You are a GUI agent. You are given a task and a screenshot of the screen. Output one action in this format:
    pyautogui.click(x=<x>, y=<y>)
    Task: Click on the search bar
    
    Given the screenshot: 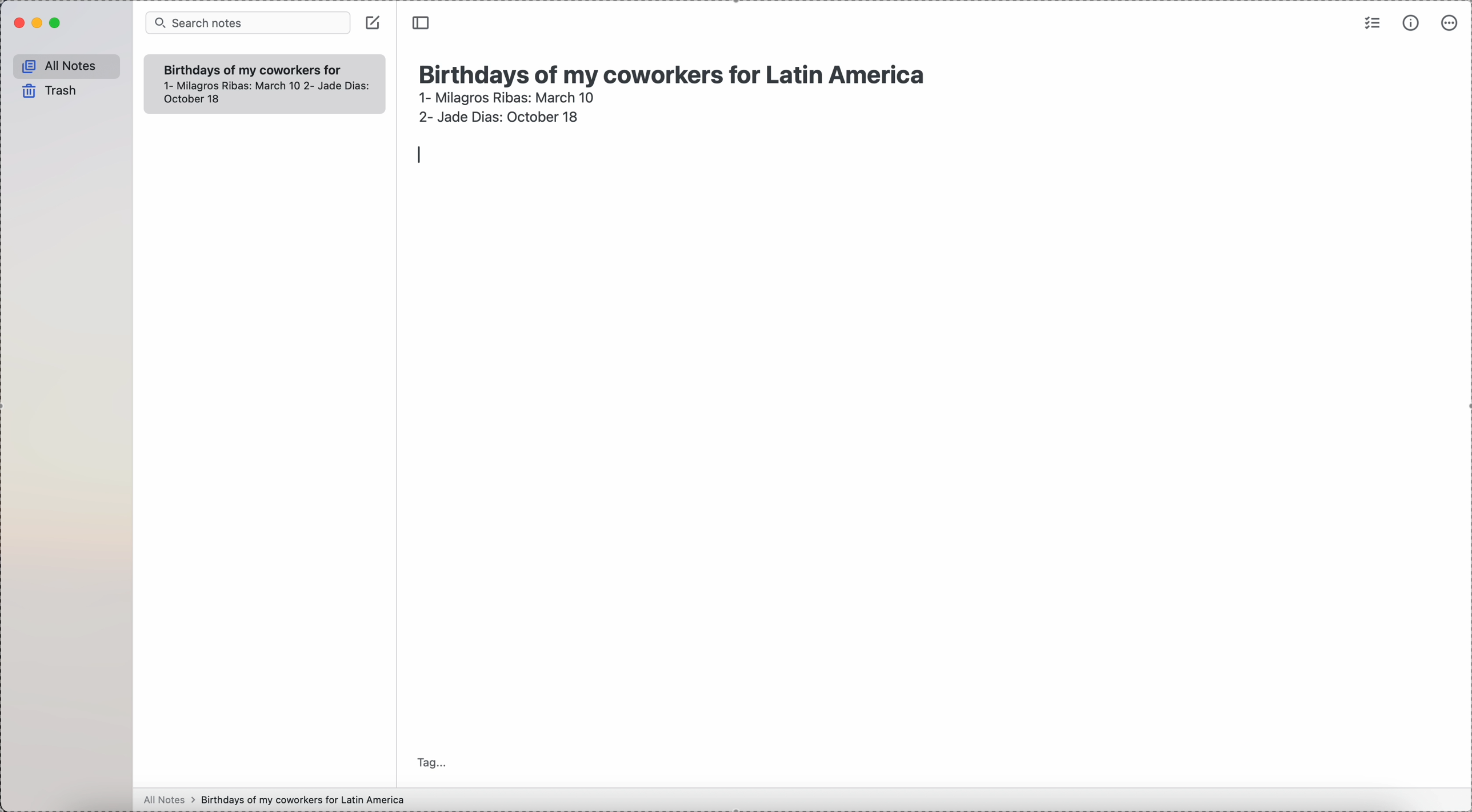 What is the action you would take?
    pyautogui.click(x=247, y=23)
    